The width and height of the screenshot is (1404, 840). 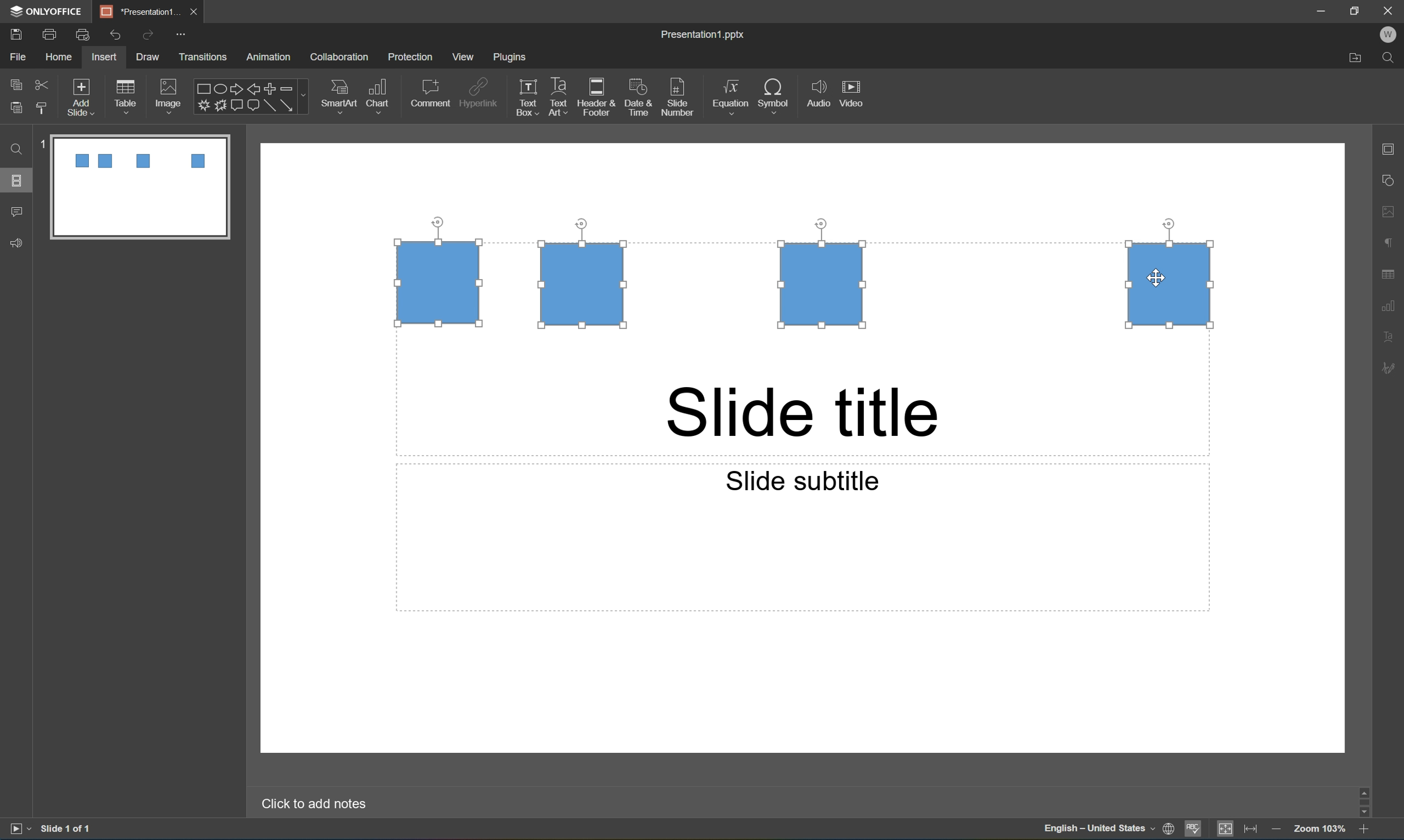 What do you see at coordinates (1393, 150) in the screenshot?
I see `slide settings` at bounding box center [1393, 150].